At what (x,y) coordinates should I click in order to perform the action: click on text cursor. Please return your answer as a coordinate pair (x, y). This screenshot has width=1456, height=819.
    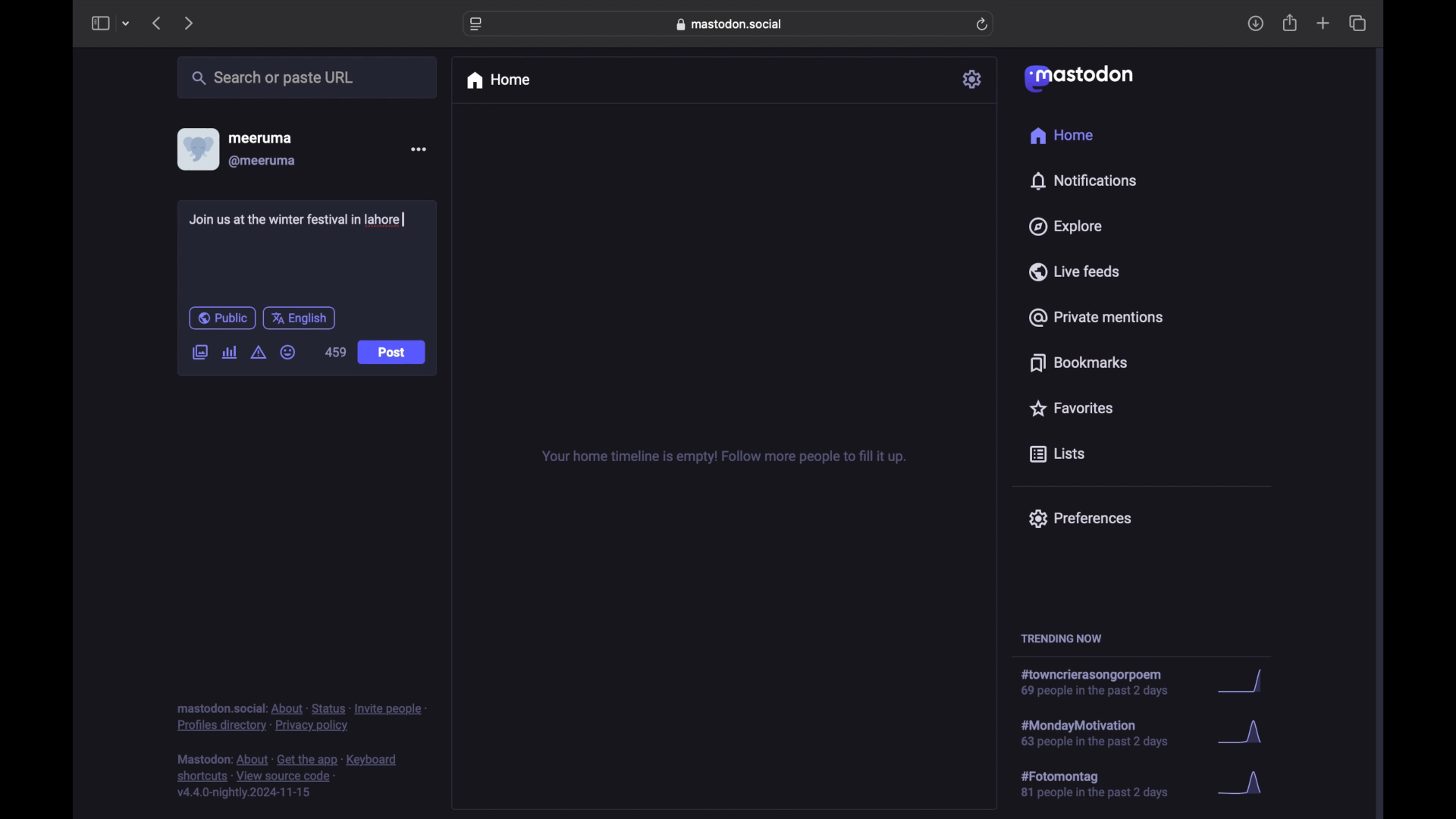
    Looking at the image, I should click on (406, 220).